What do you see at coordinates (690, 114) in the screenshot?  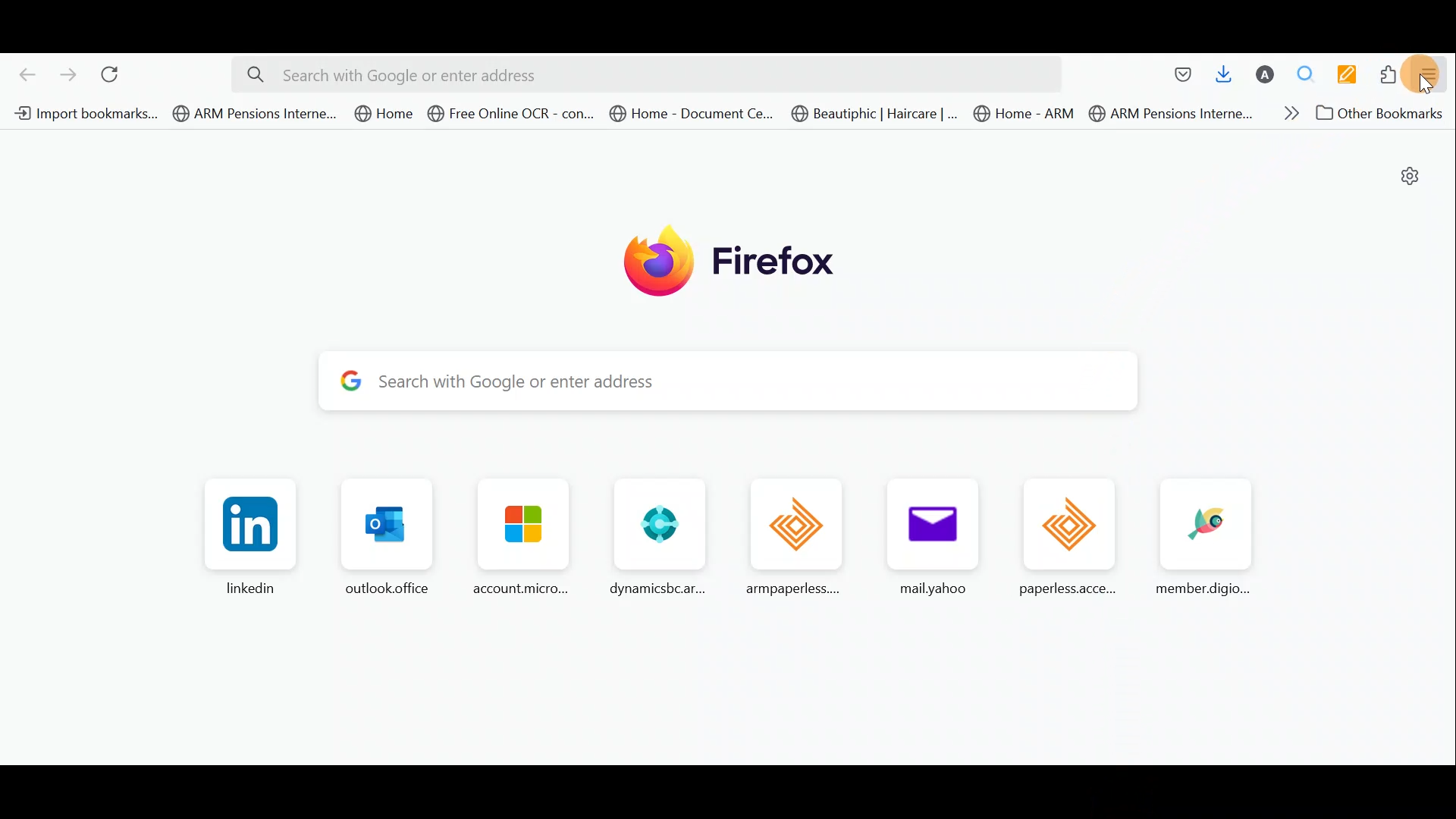 I see `» Home - Document Ce...` at bounding box center [690, 114].